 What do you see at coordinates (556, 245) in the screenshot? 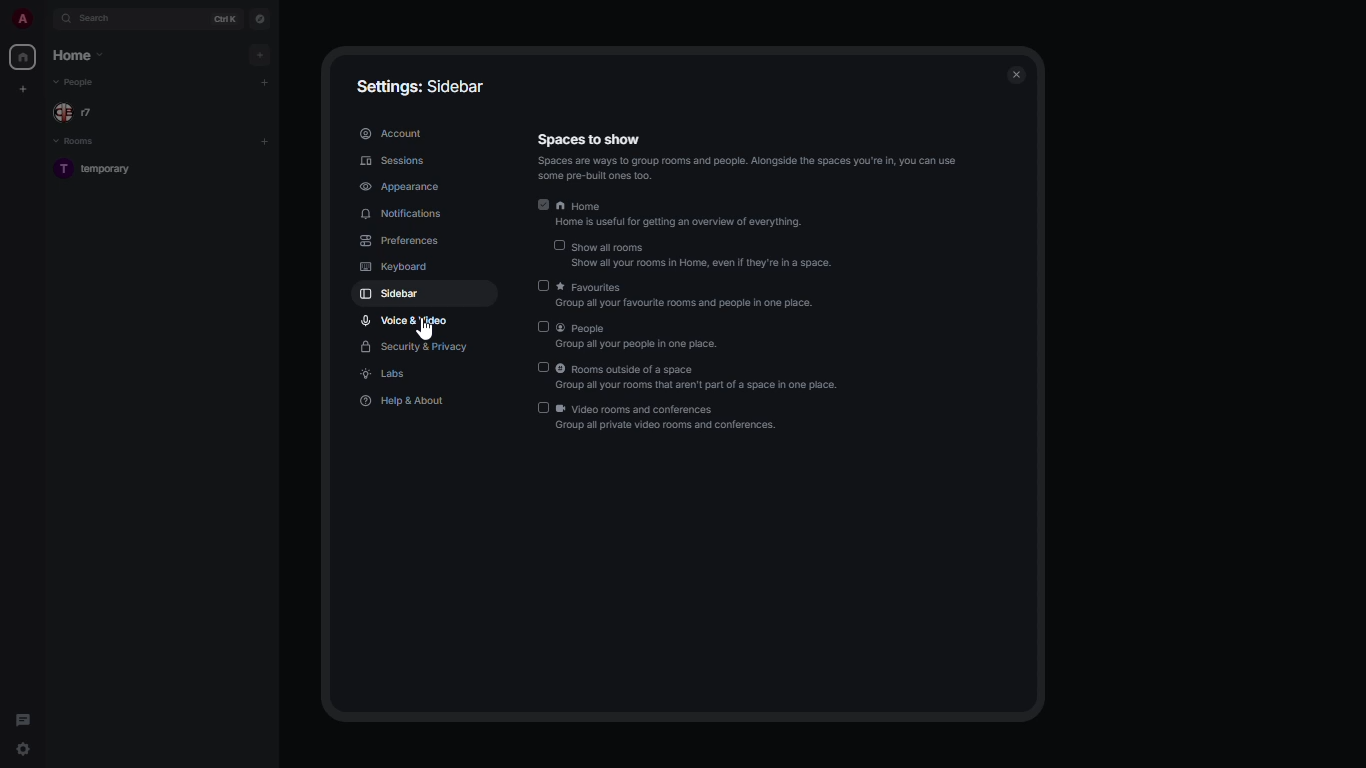
I see `` at bounding box center [556, 245].